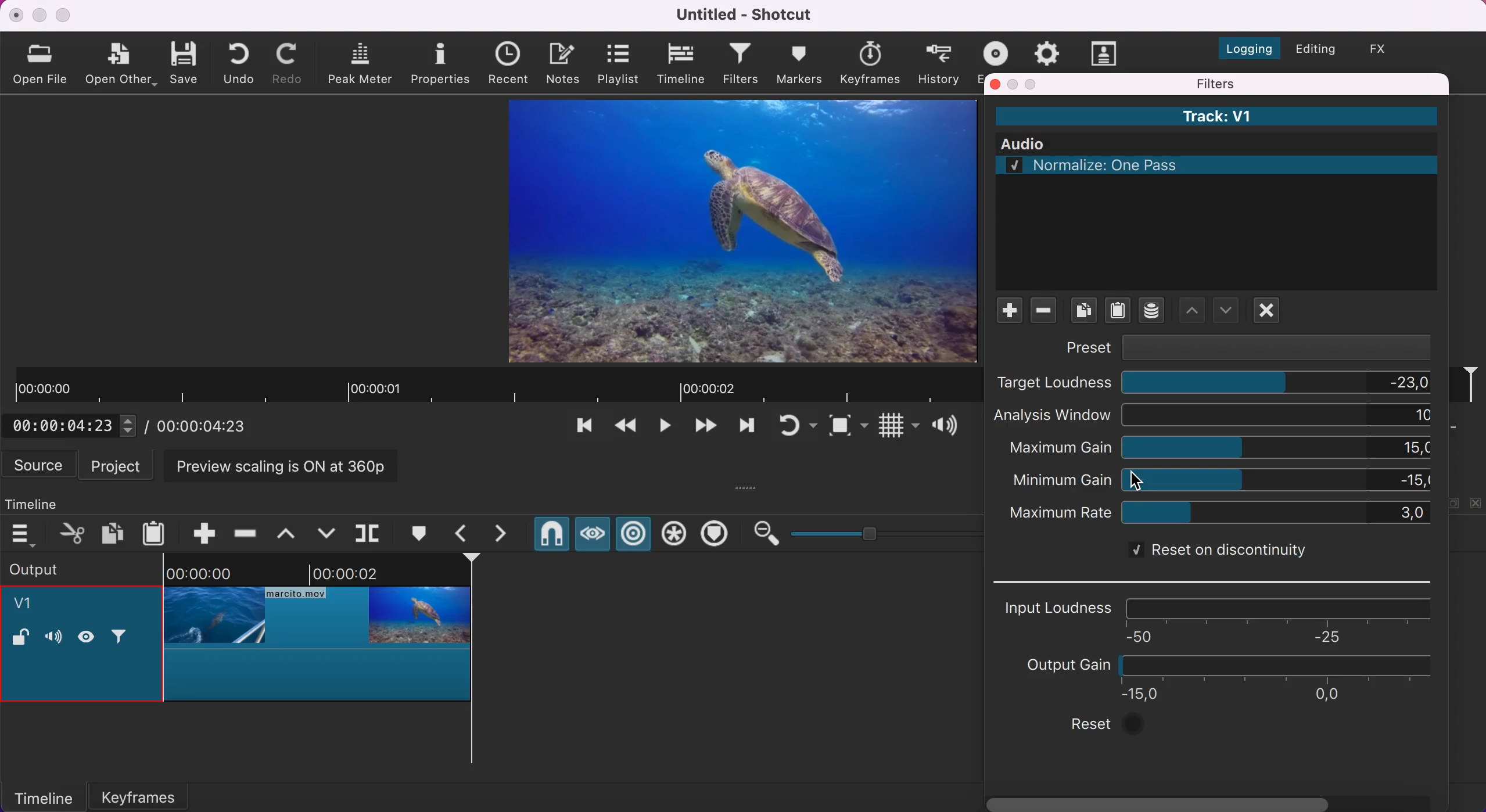  Describe the element at coordinates (1247, 347) in the screenshot. I see `preset` at that location.